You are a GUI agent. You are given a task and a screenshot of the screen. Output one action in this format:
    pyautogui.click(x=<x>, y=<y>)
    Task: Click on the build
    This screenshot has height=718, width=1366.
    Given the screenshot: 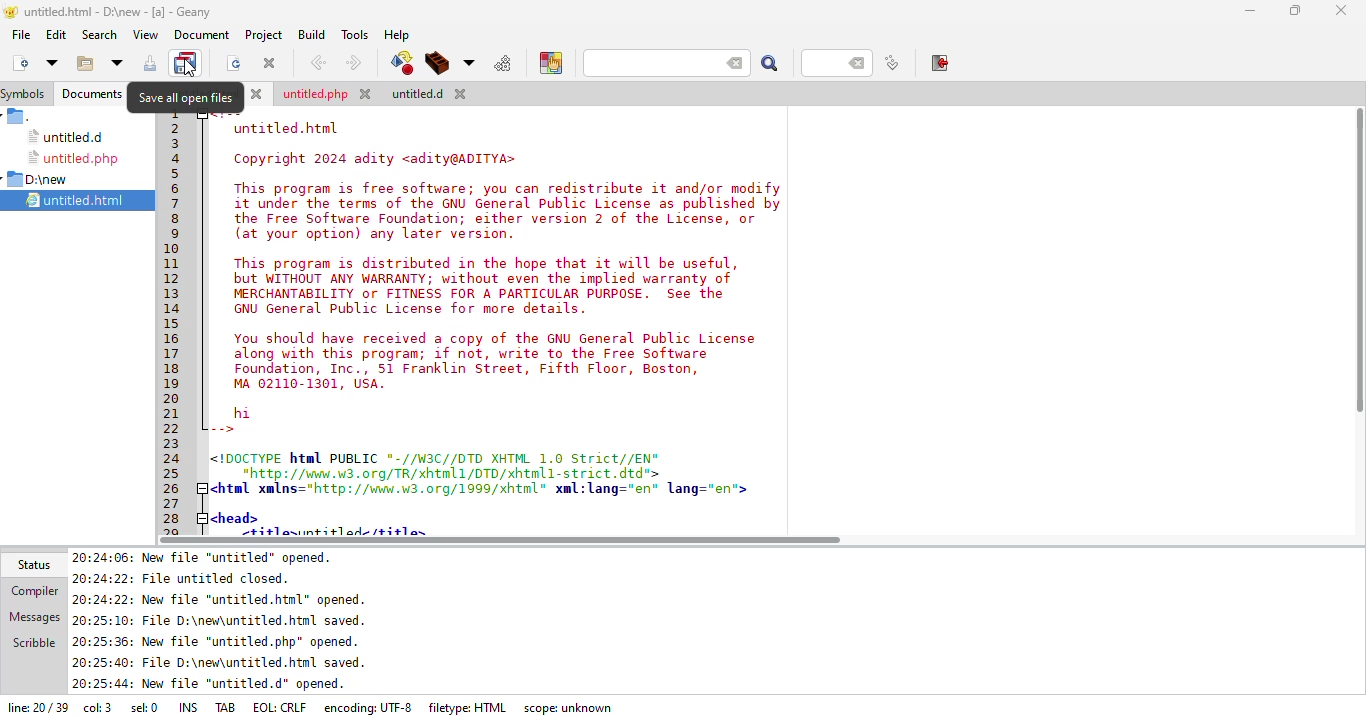 What is the action you would take?
    pyautogui.click(x=311, y=34)
    